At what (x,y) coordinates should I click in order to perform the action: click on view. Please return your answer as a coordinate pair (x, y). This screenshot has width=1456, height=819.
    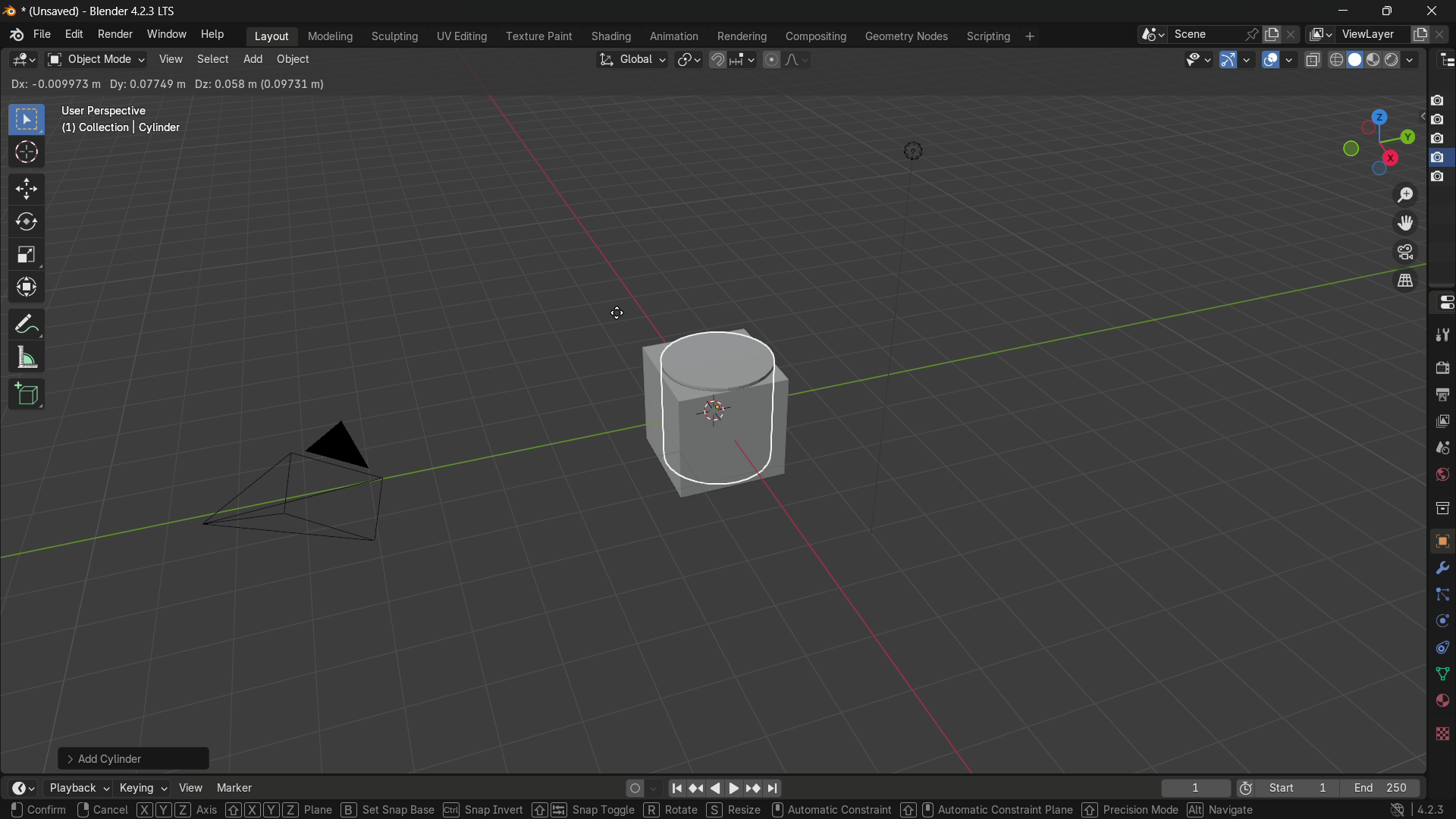
    Looking at the image, I should click on (171, 59).